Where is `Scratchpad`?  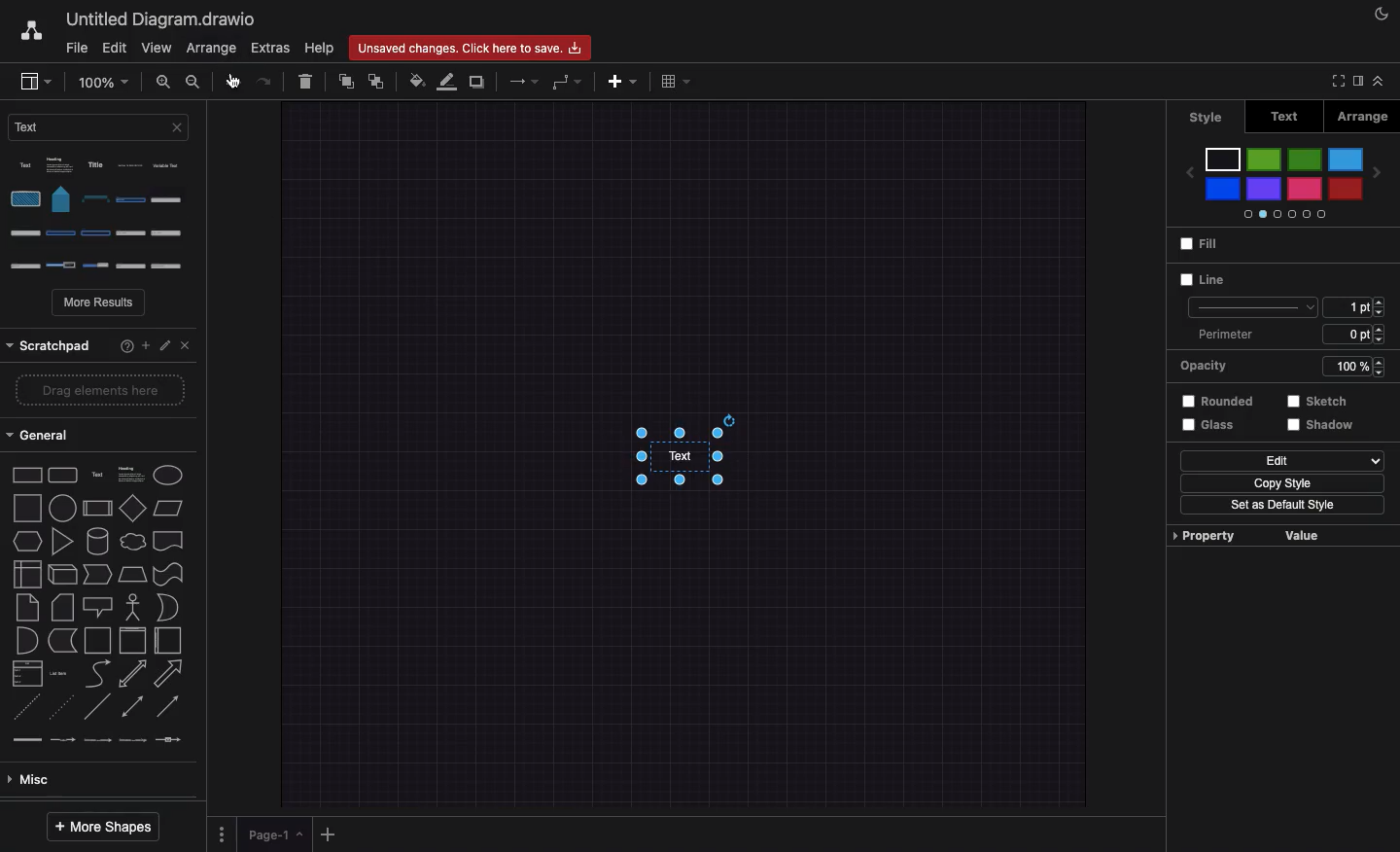
Scratchpad is located at coordinates (50, 343).